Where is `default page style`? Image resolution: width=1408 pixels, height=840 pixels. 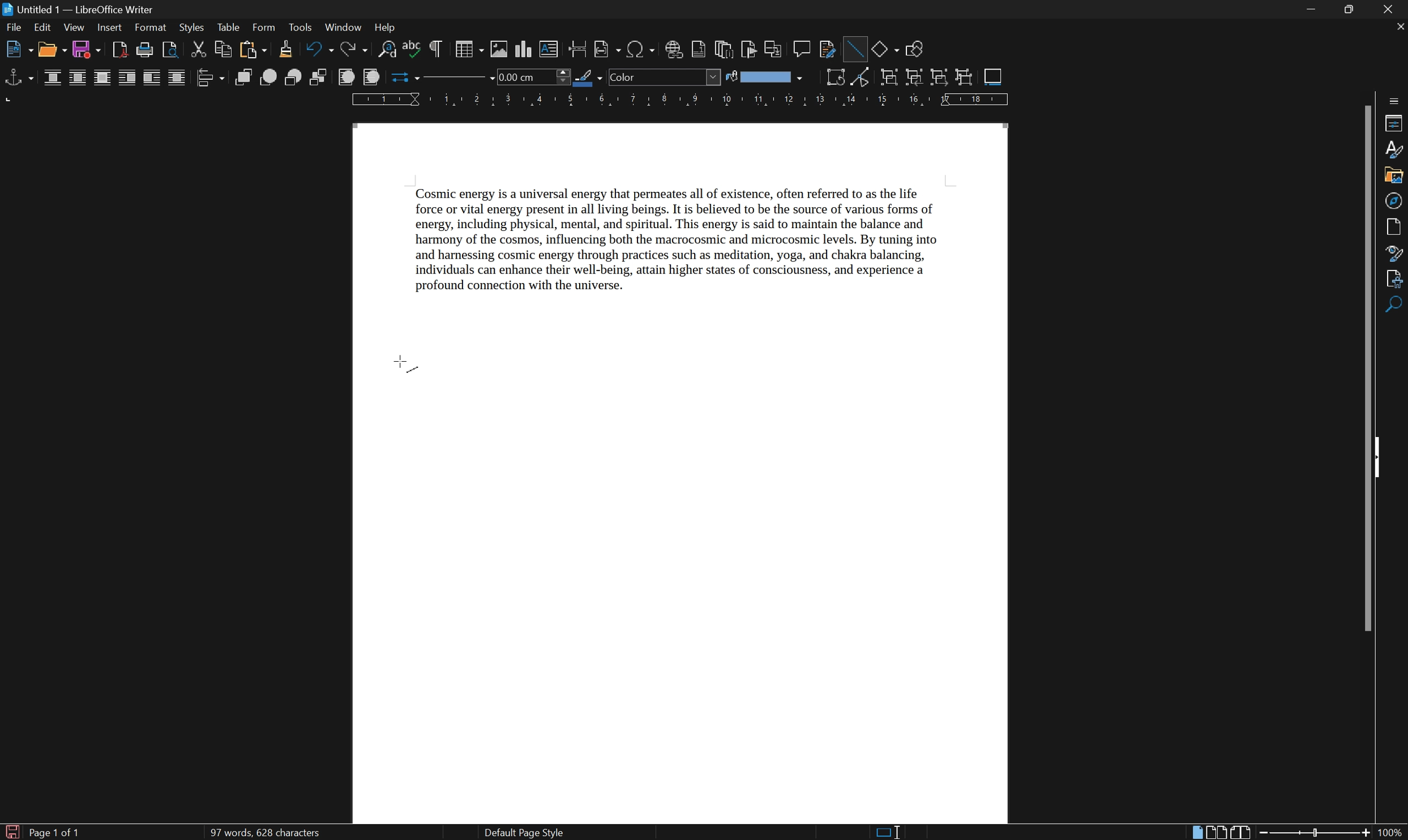 default page style is located at coordinates (523, 833).